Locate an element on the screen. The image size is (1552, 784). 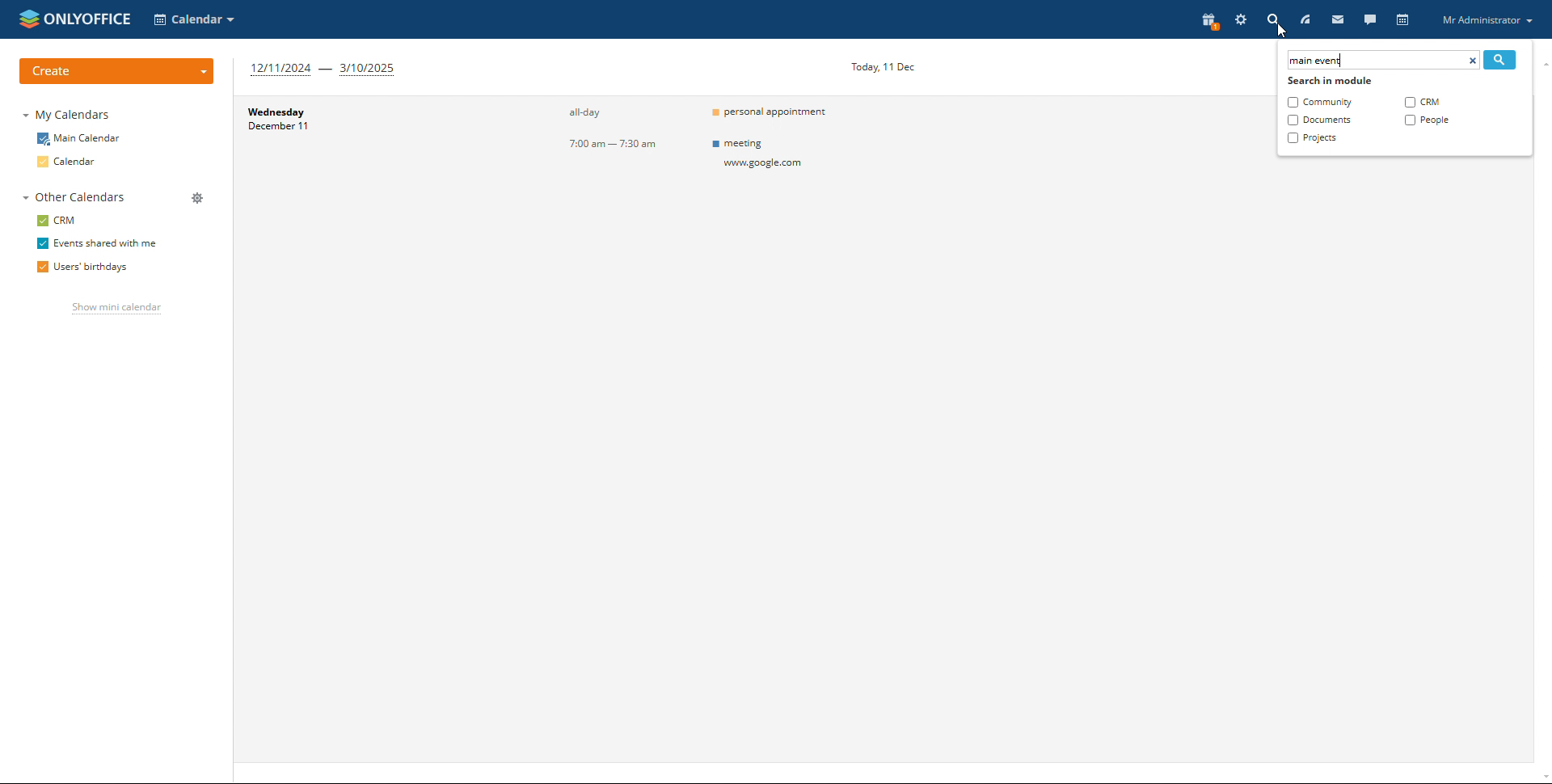
my calendars is located at coordinates (68, 115).